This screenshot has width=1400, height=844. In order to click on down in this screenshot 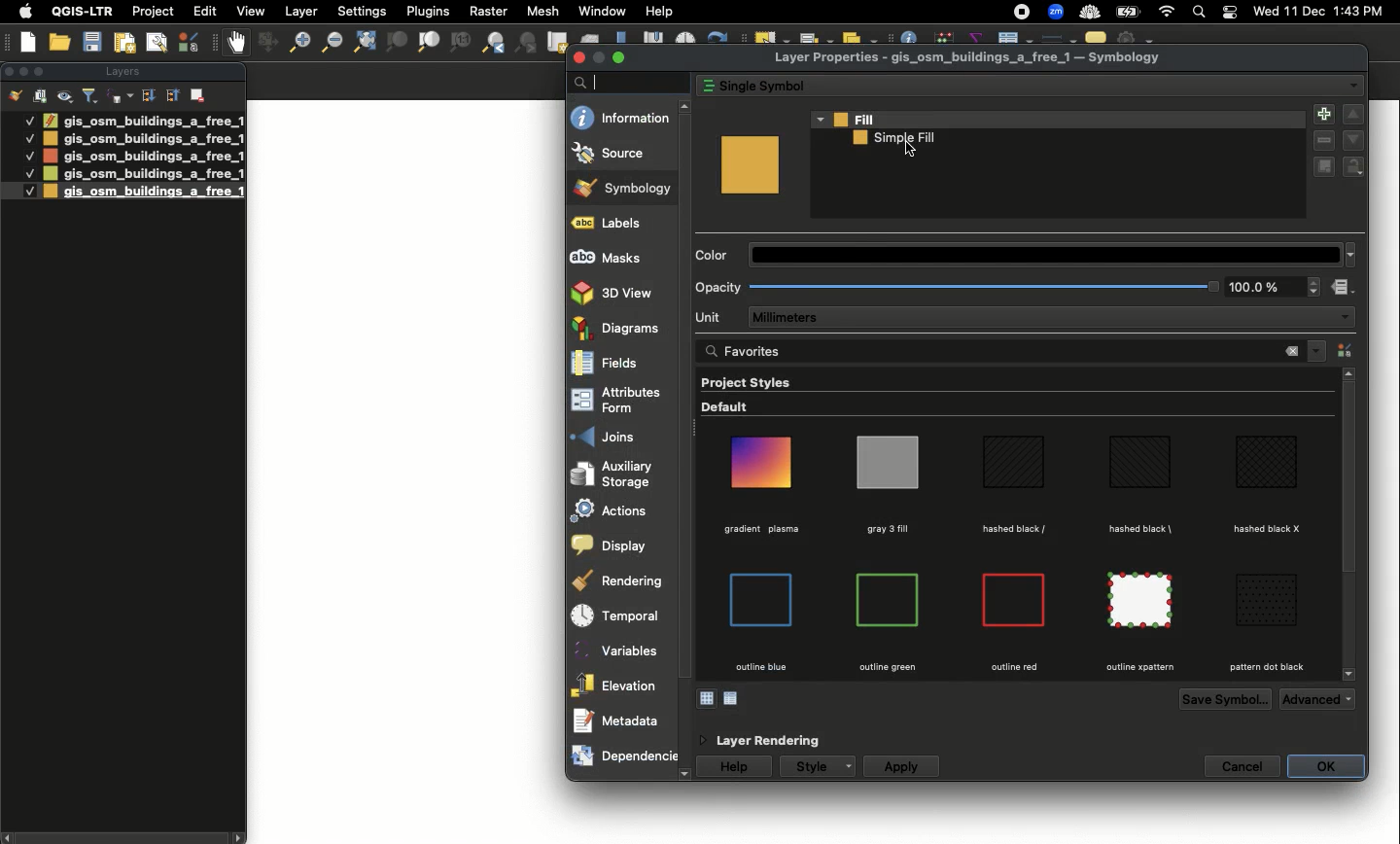, I will do `click(1348, 676)`.